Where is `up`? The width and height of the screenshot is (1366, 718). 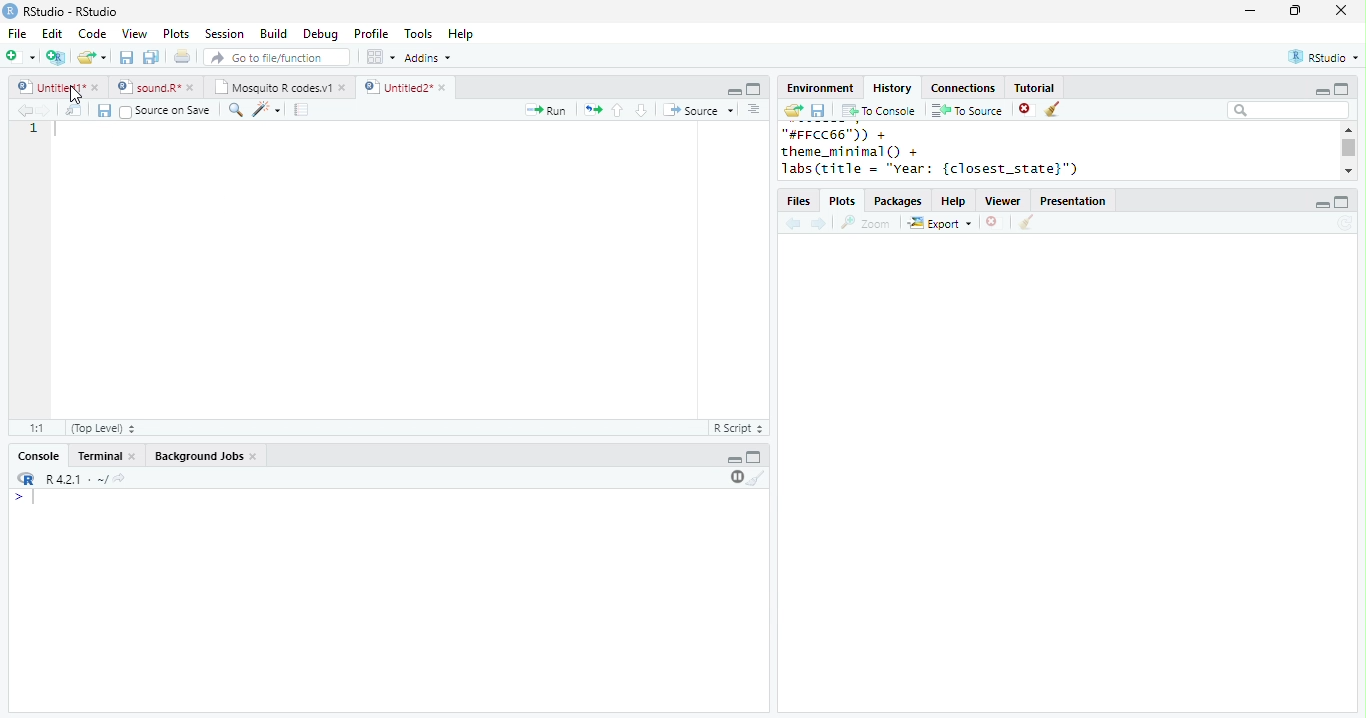 up is located at coordinates (616, 110).